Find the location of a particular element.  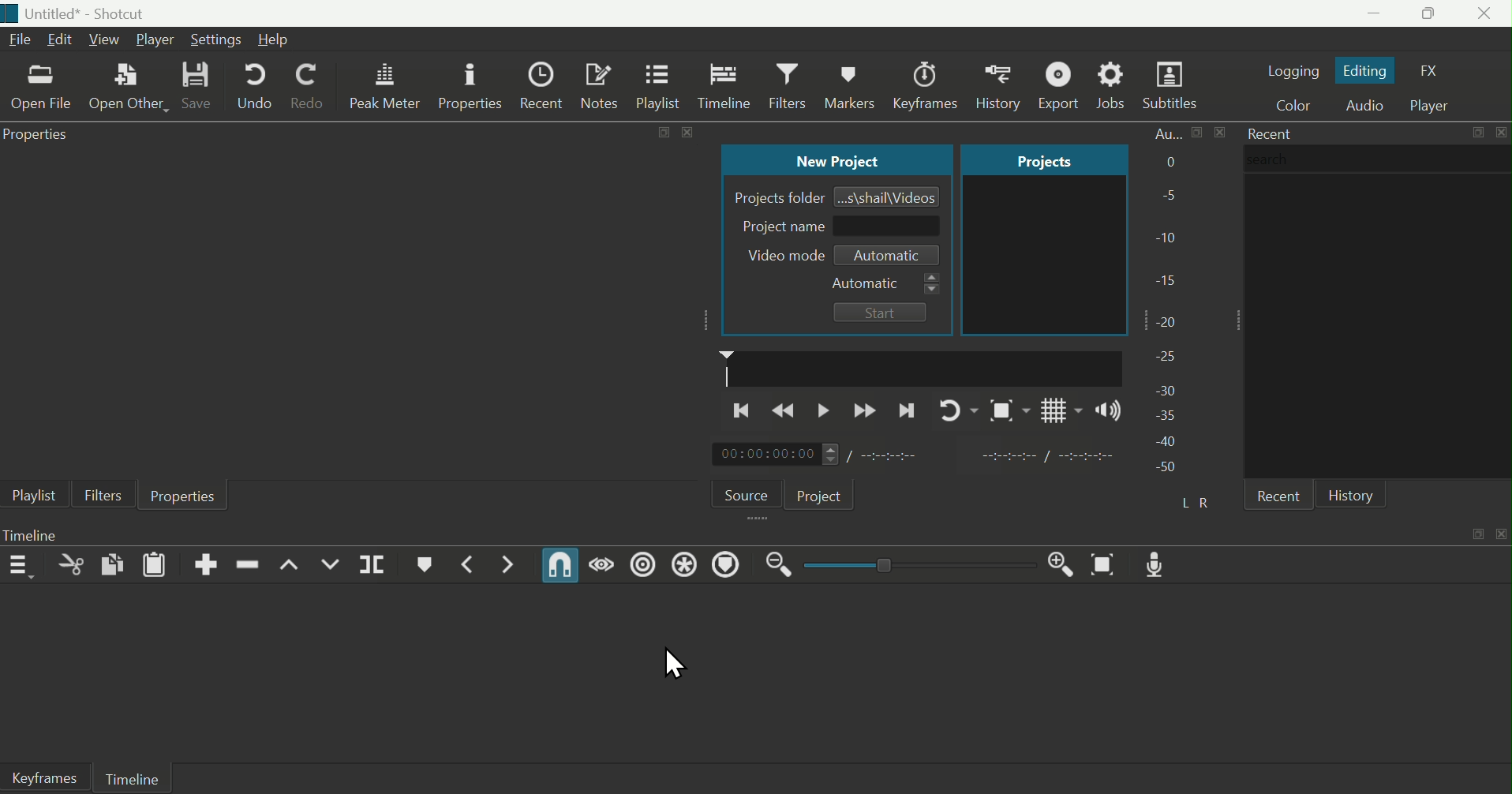

Maximize is located at coordinates (1426, 13).